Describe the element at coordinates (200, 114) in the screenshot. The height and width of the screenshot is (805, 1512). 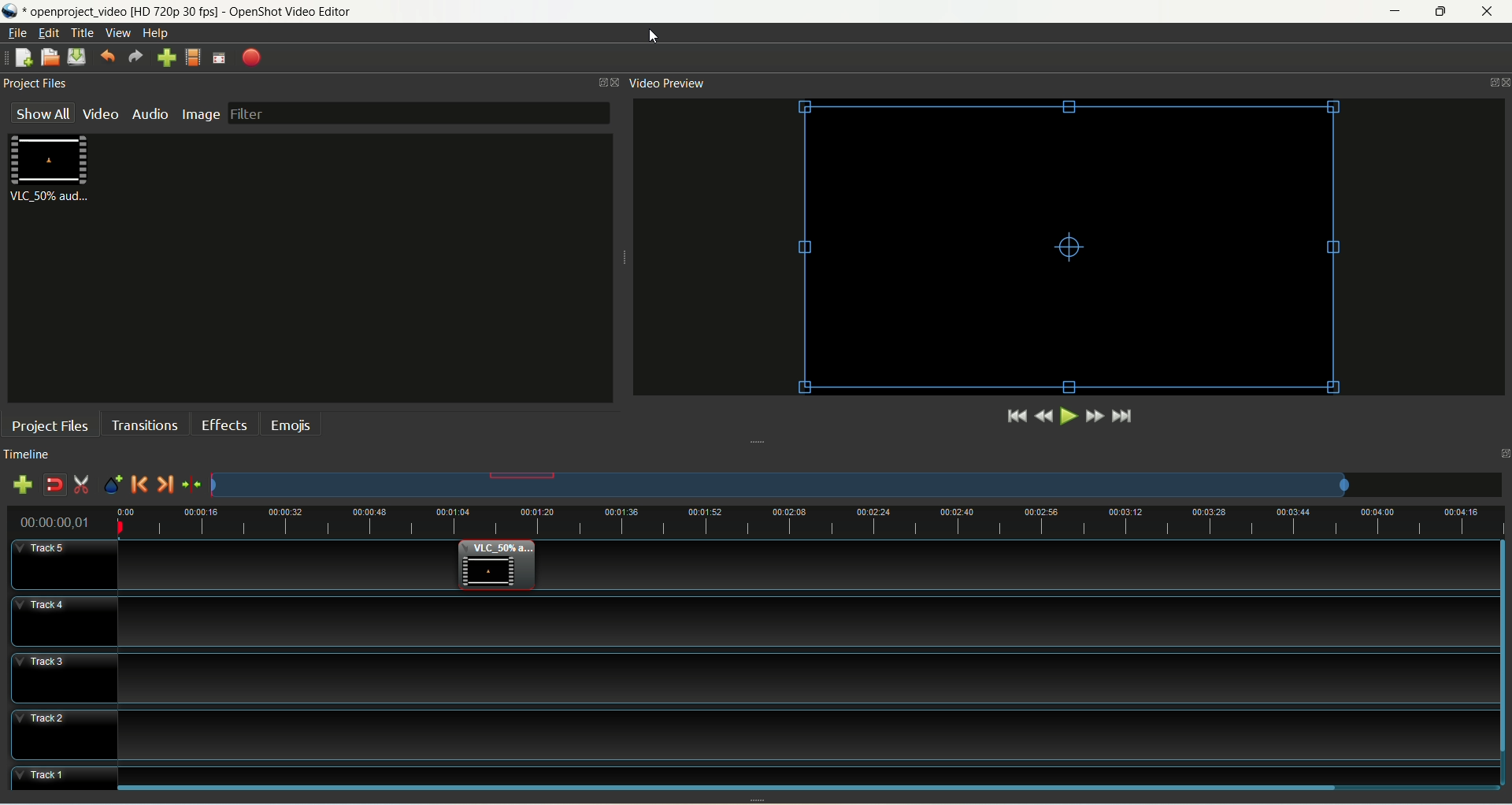
I see `image` at that location.